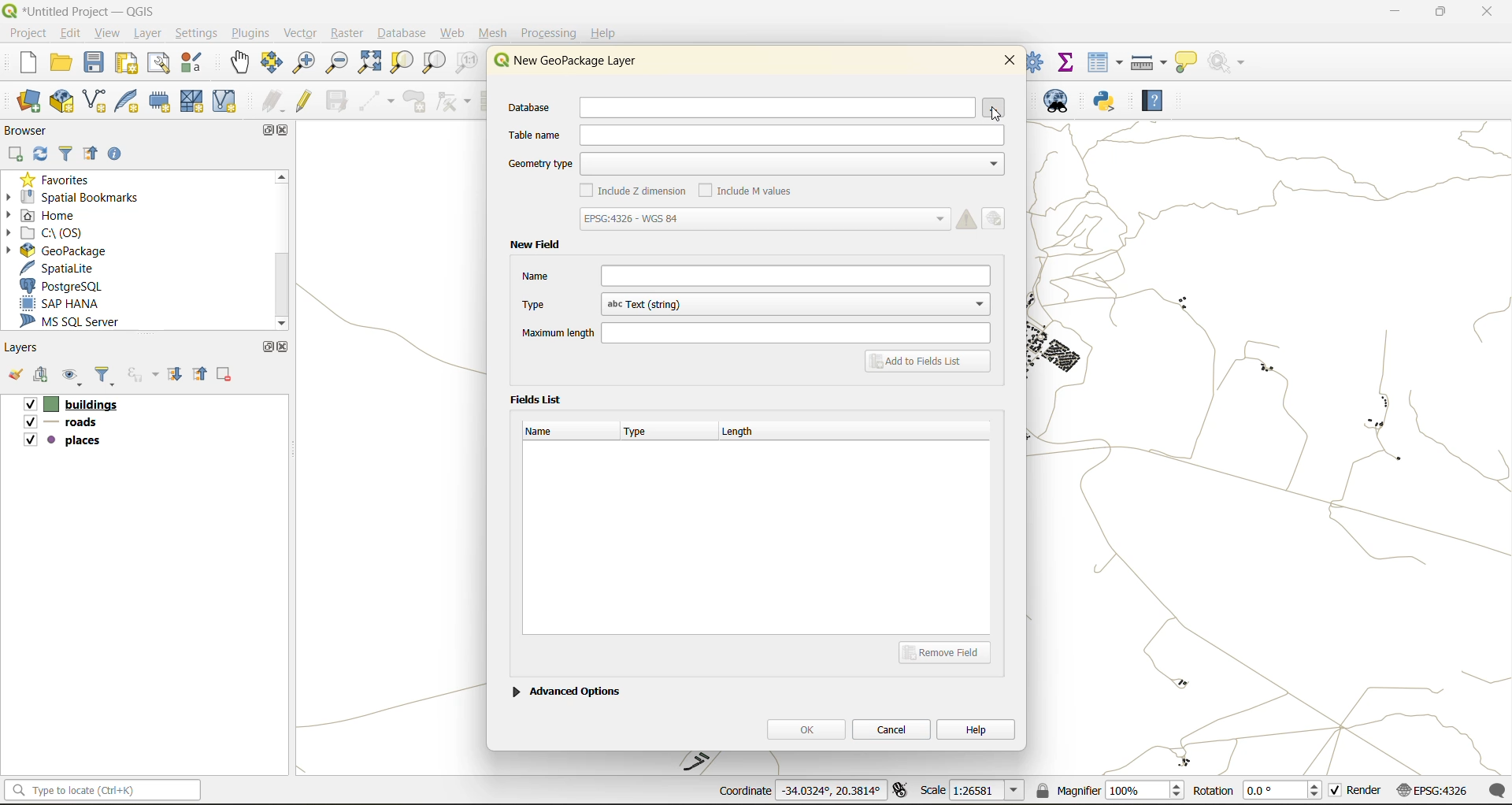 The width and height of the screenshot is (1512, 805). What do you see at coordinates (539, 398) in the screenshot?
I see `fields list` at bounding box center [539, 398].